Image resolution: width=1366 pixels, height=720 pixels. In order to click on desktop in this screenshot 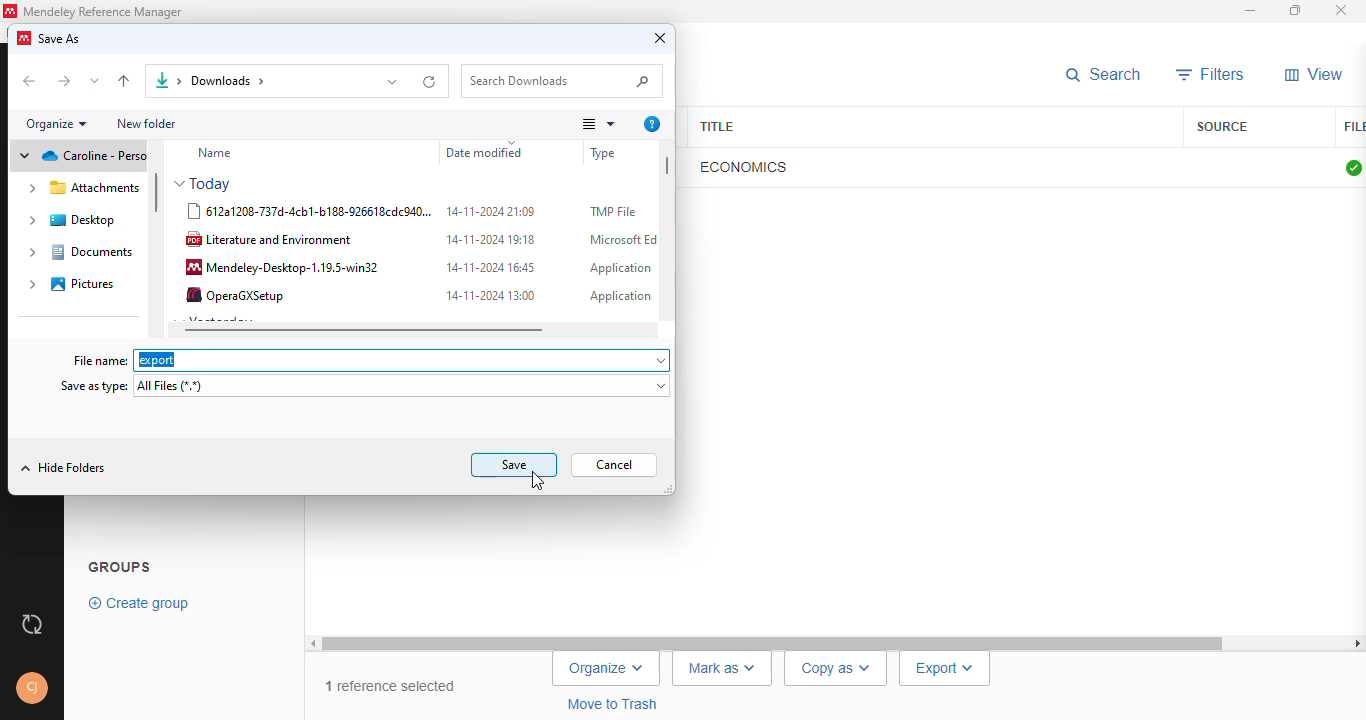, I will do `click(73, 220)`.